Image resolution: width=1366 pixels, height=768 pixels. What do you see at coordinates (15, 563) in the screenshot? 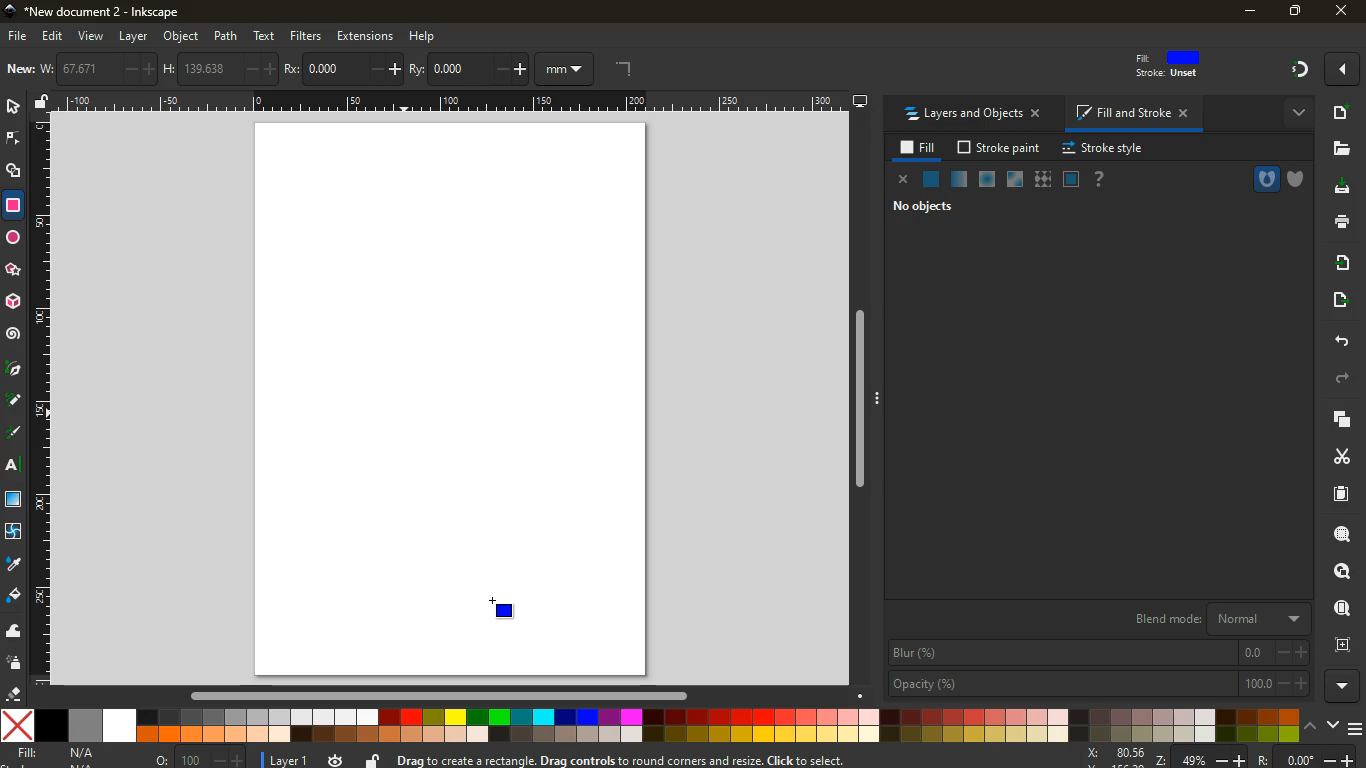
I see `drop` at bounding box center [15, 563].